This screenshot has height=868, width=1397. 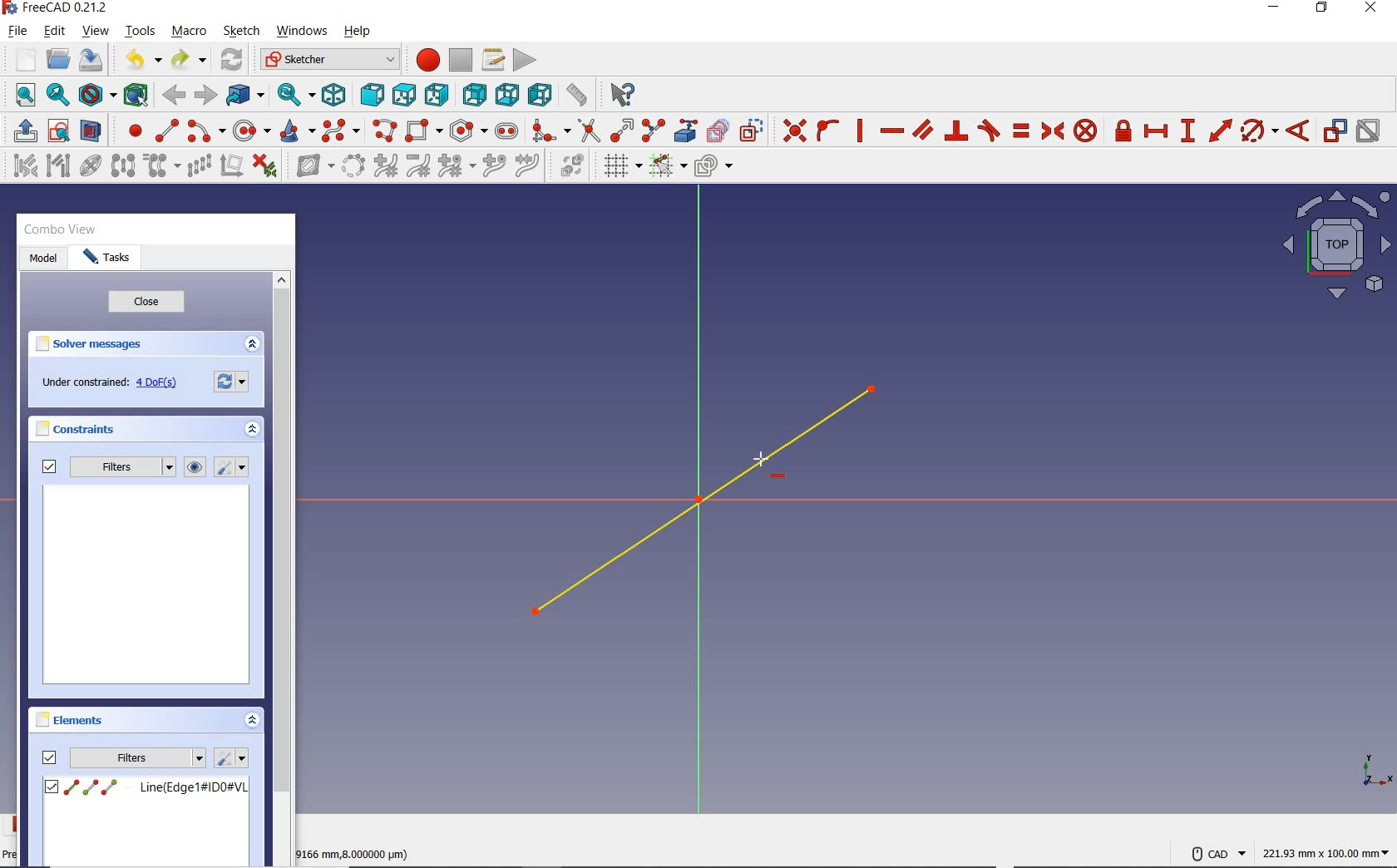 What do you see at coordinates (1376, 772) in the screenshot?
I see `Shape` at bounding box center [1376, 772].